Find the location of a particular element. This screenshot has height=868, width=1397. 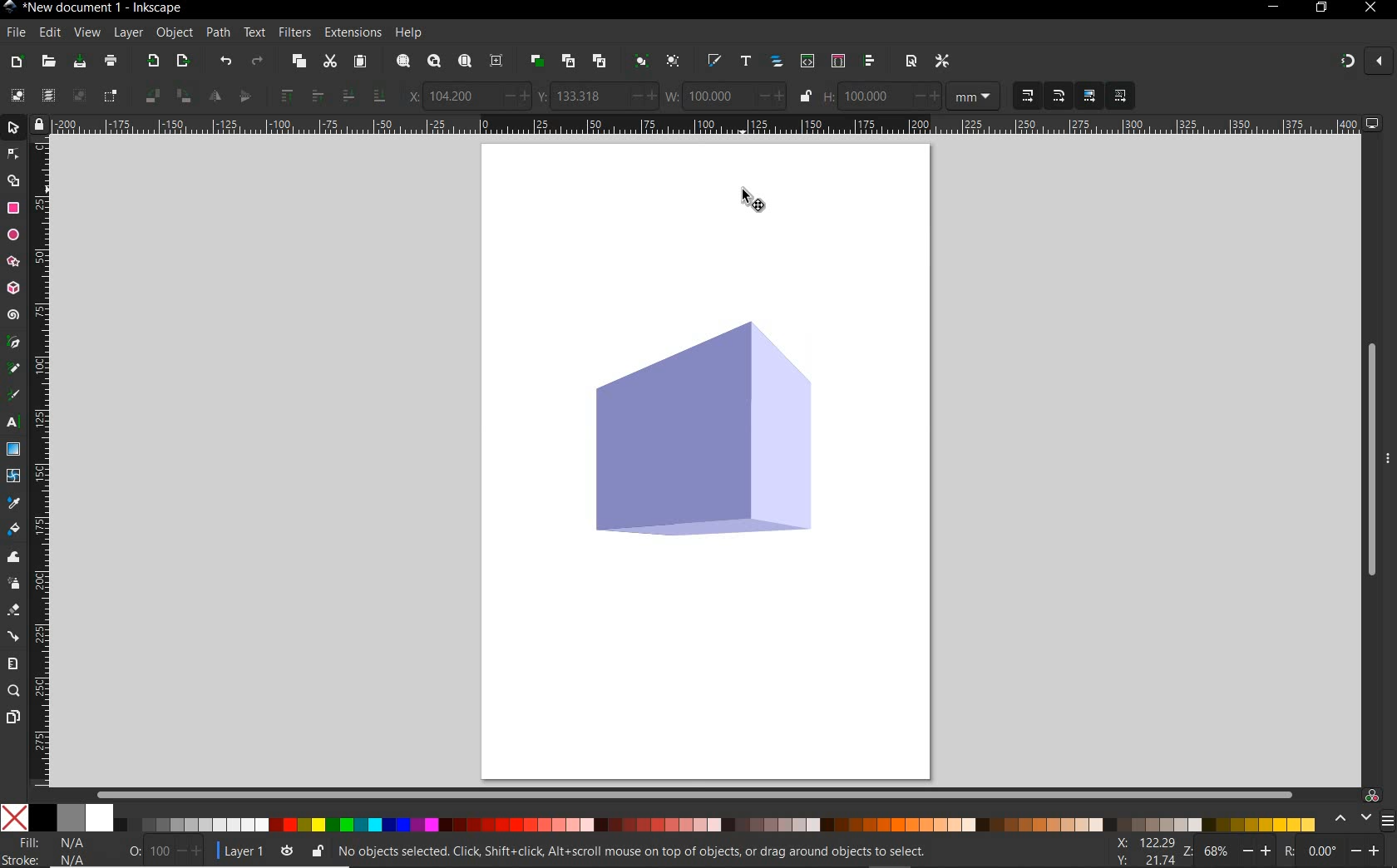

ruler is located at coordinates (705, 125).